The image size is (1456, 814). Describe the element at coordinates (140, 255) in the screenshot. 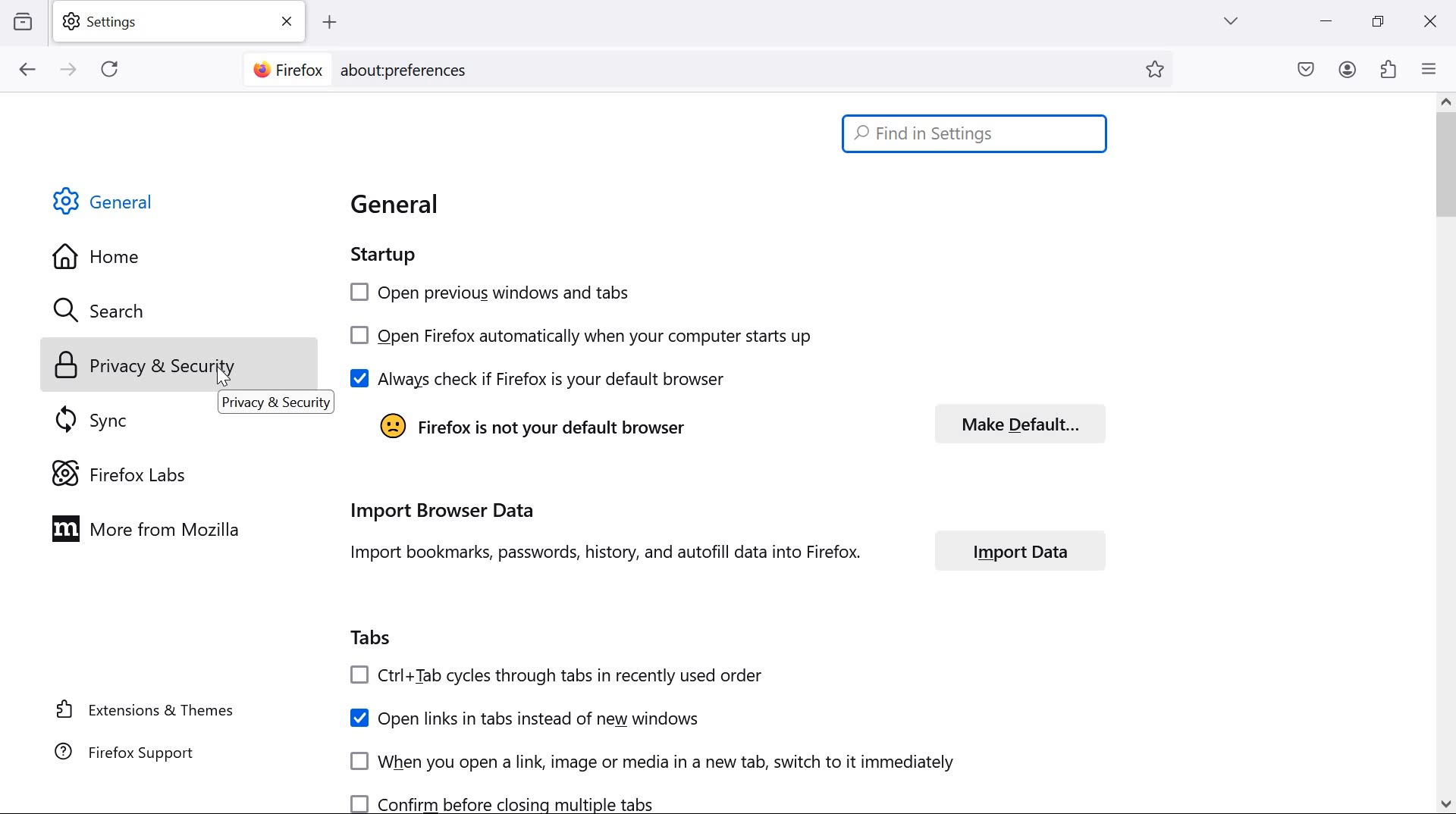

I see `Home` at that location.